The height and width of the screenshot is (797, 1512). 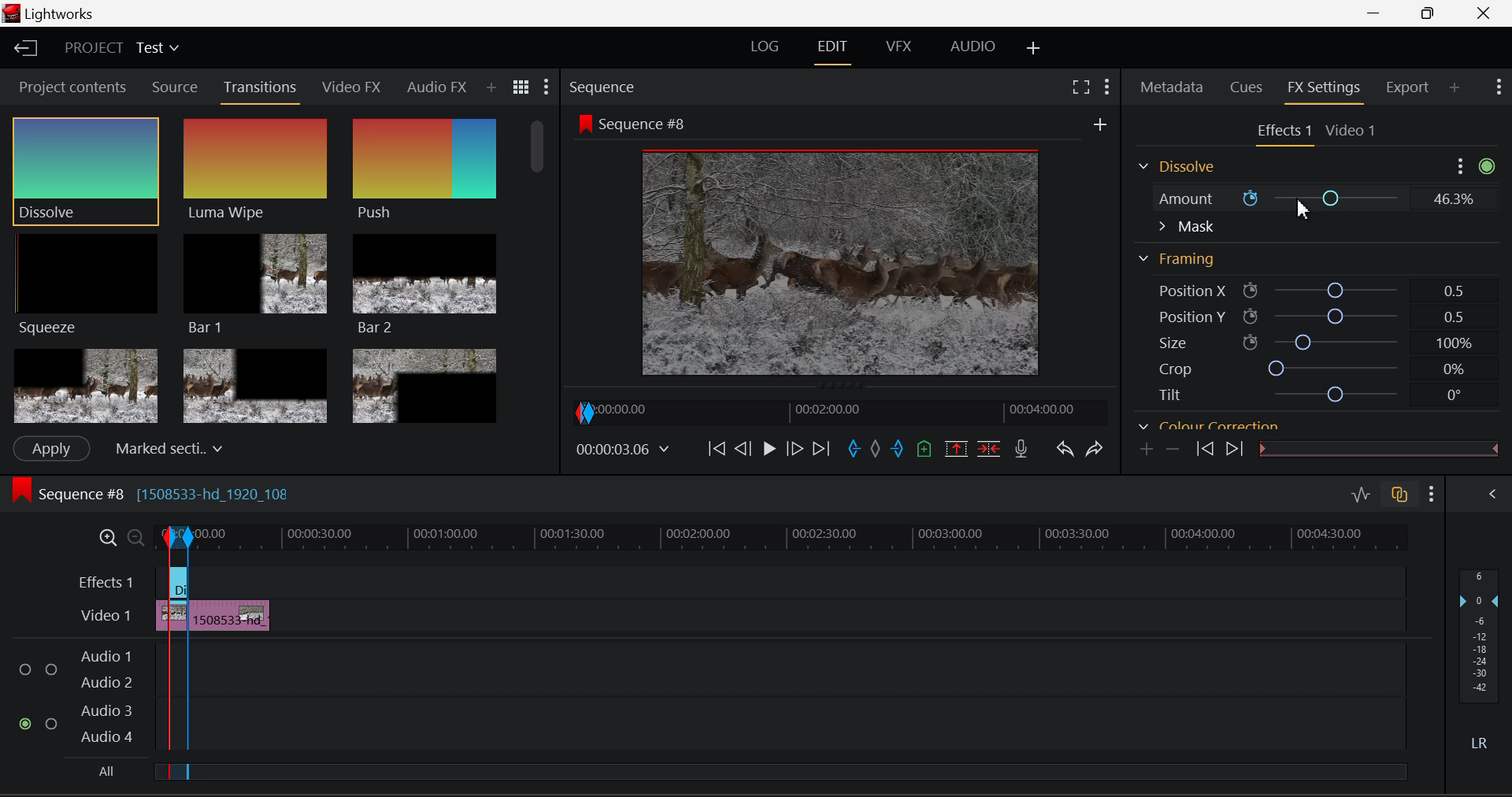 I want to click on Push, so click(x=424, y=172).